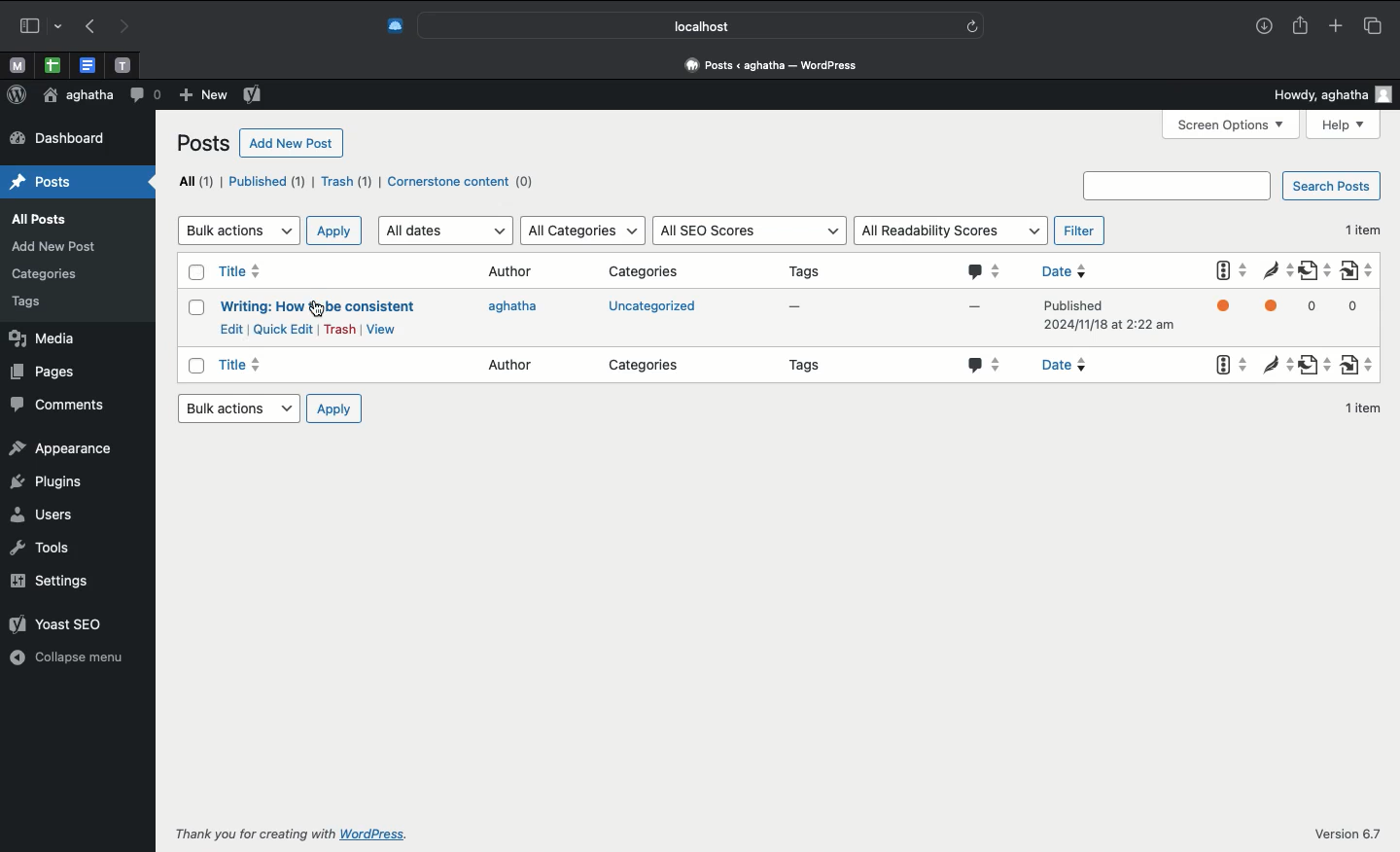 Image resolution: width=1400 pixels, height=852 pixels. I want to click on pinned tab, google docs, so click(86, 61).